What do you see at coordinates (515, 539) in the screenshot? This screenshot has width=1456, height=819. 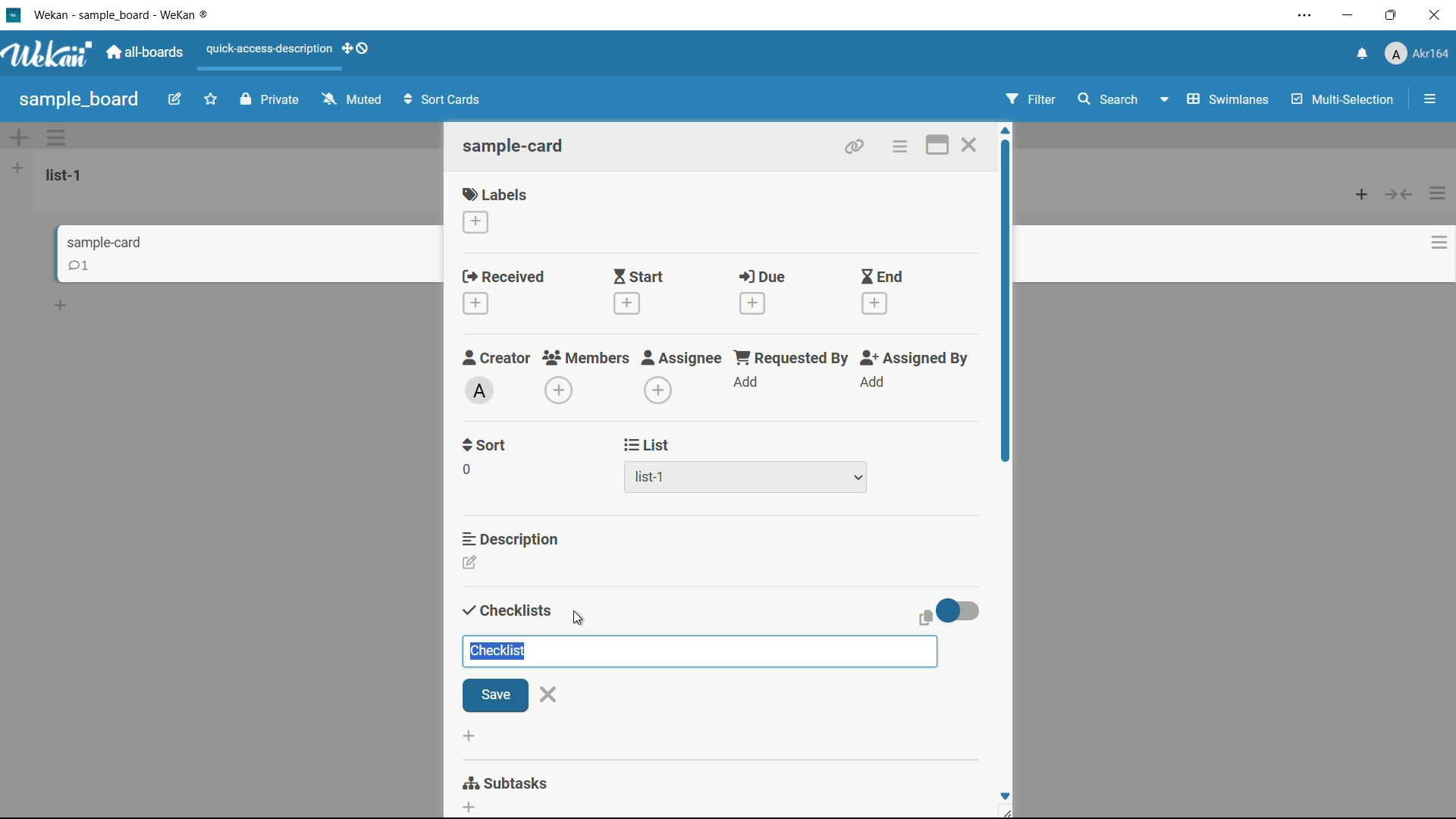 I see `description` at bounding box center [515, 539].